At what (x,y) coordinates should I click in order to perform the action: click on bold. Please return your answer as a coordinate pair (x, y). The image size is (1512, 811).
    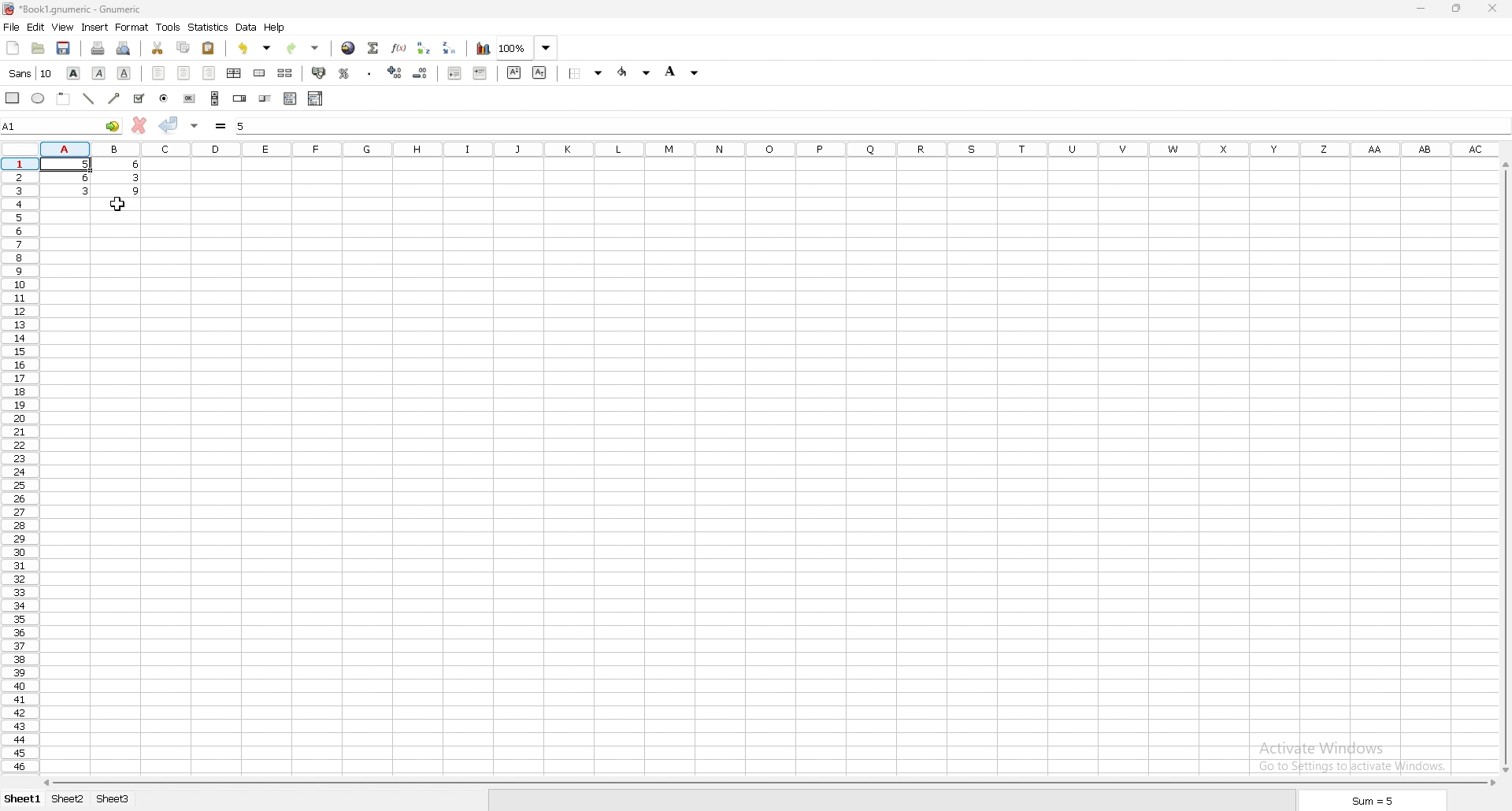
    Looking at the image, I should click on (73, 74).